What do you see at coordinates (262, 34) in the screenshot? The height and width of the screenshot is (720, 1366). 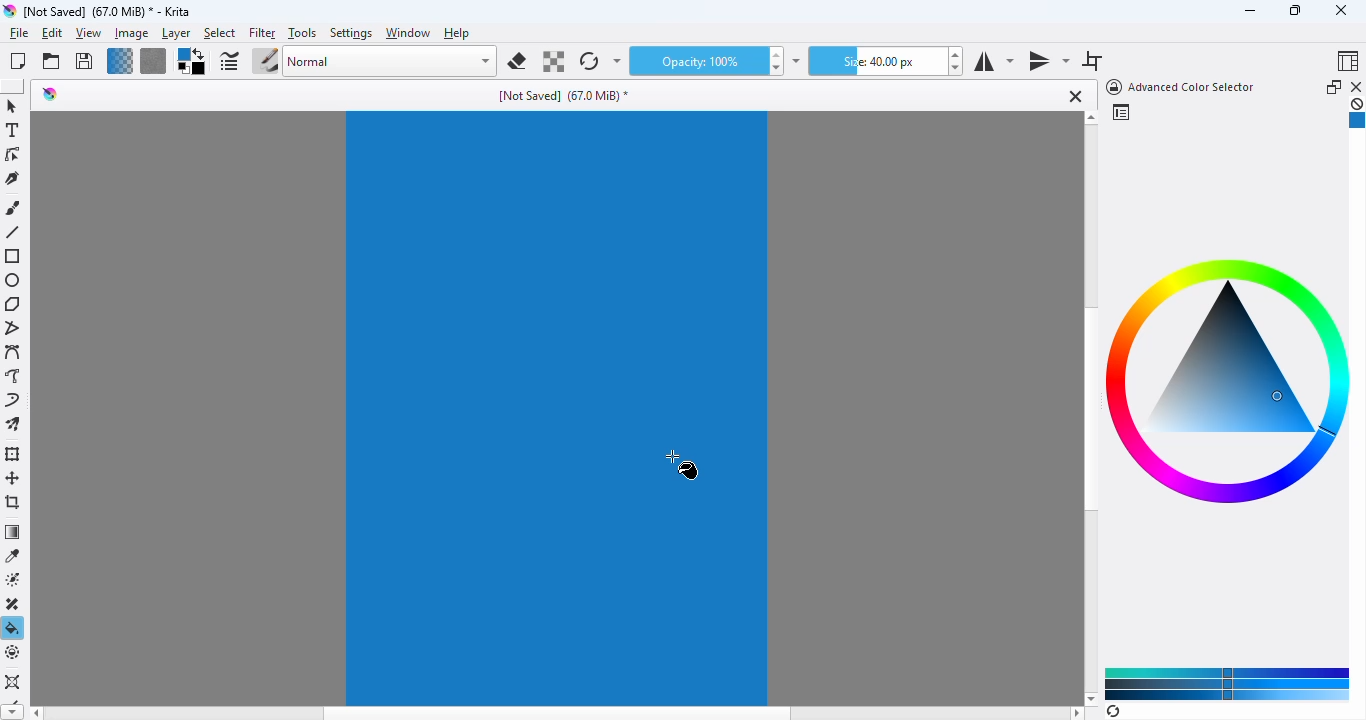 I see `filter` at bounding box center [262, 34].